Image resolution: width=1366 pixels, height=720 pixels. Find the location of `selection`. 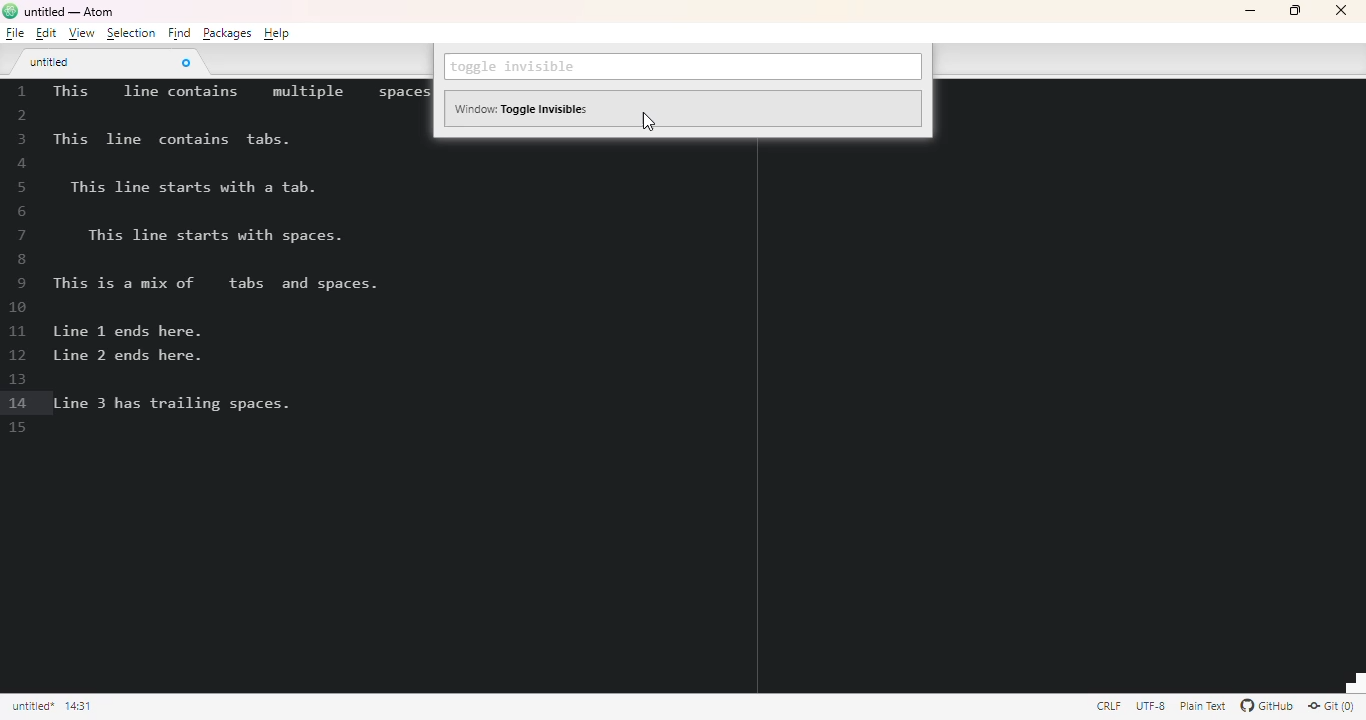

selection is located at coordinates (131, 33).